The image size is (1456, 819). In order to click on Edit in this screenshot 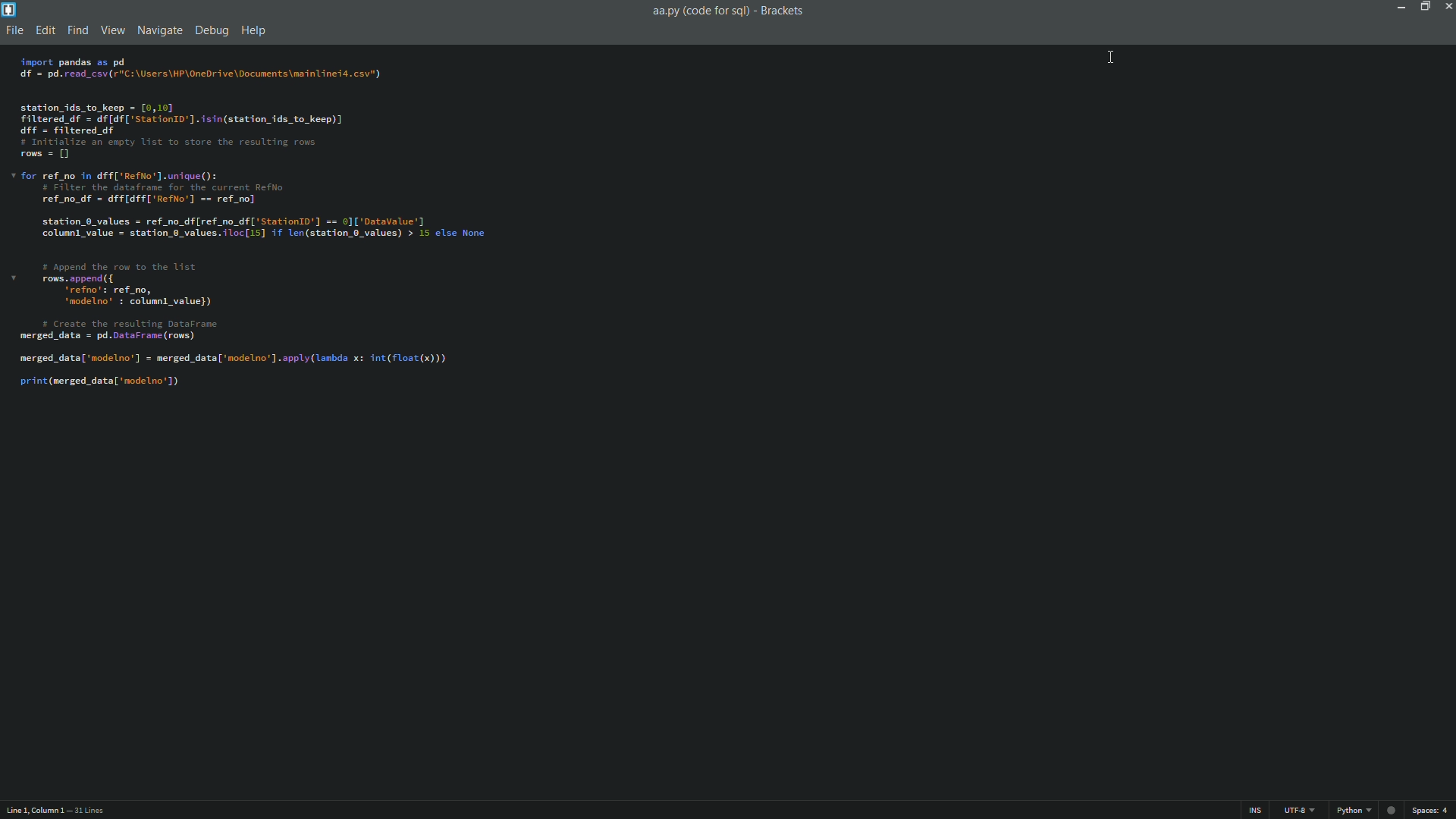, I will do `click(45, 30)`.